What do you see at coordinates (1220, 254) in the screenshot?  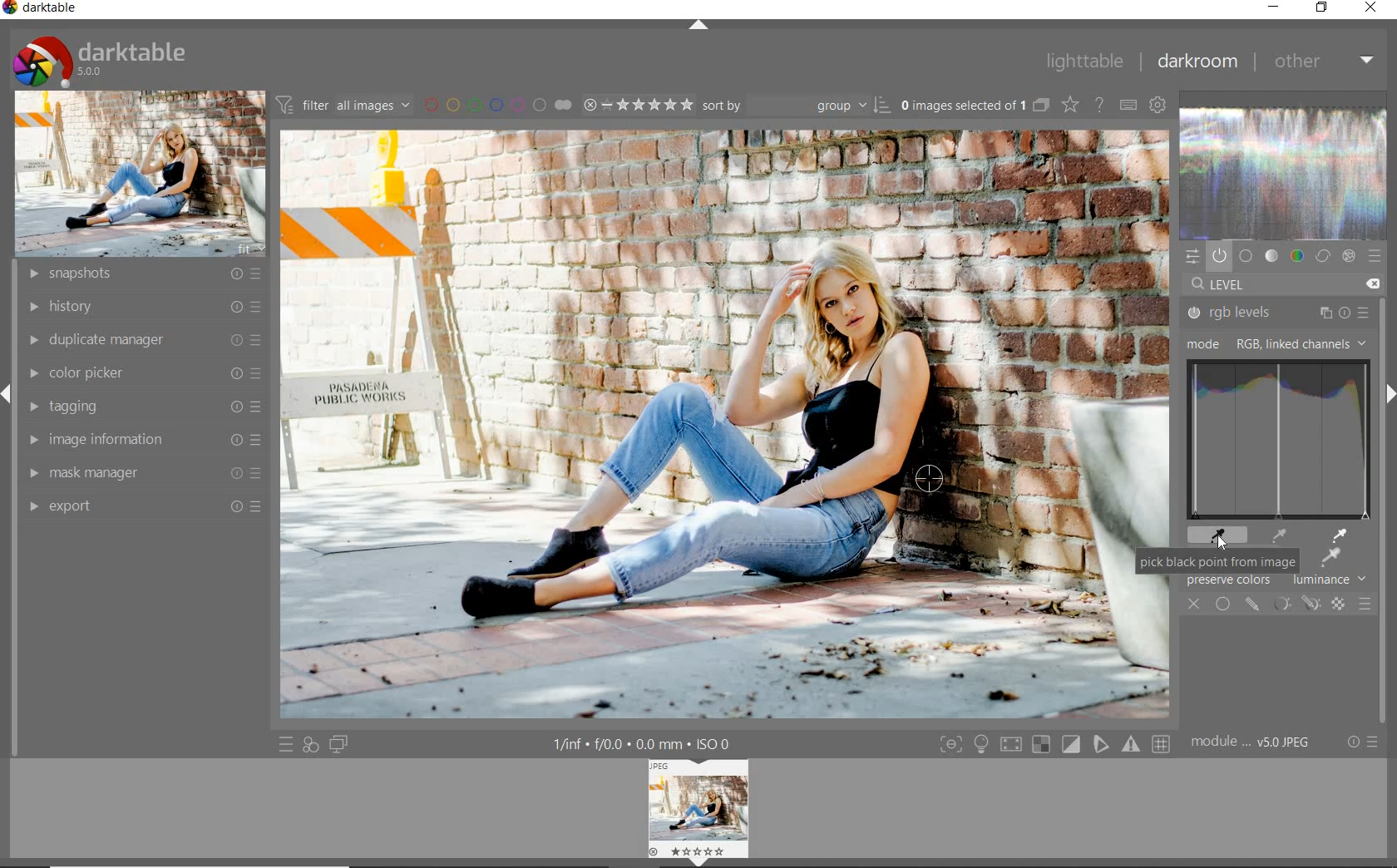 I see `show only active modules` at bounding box center [1220, 254].